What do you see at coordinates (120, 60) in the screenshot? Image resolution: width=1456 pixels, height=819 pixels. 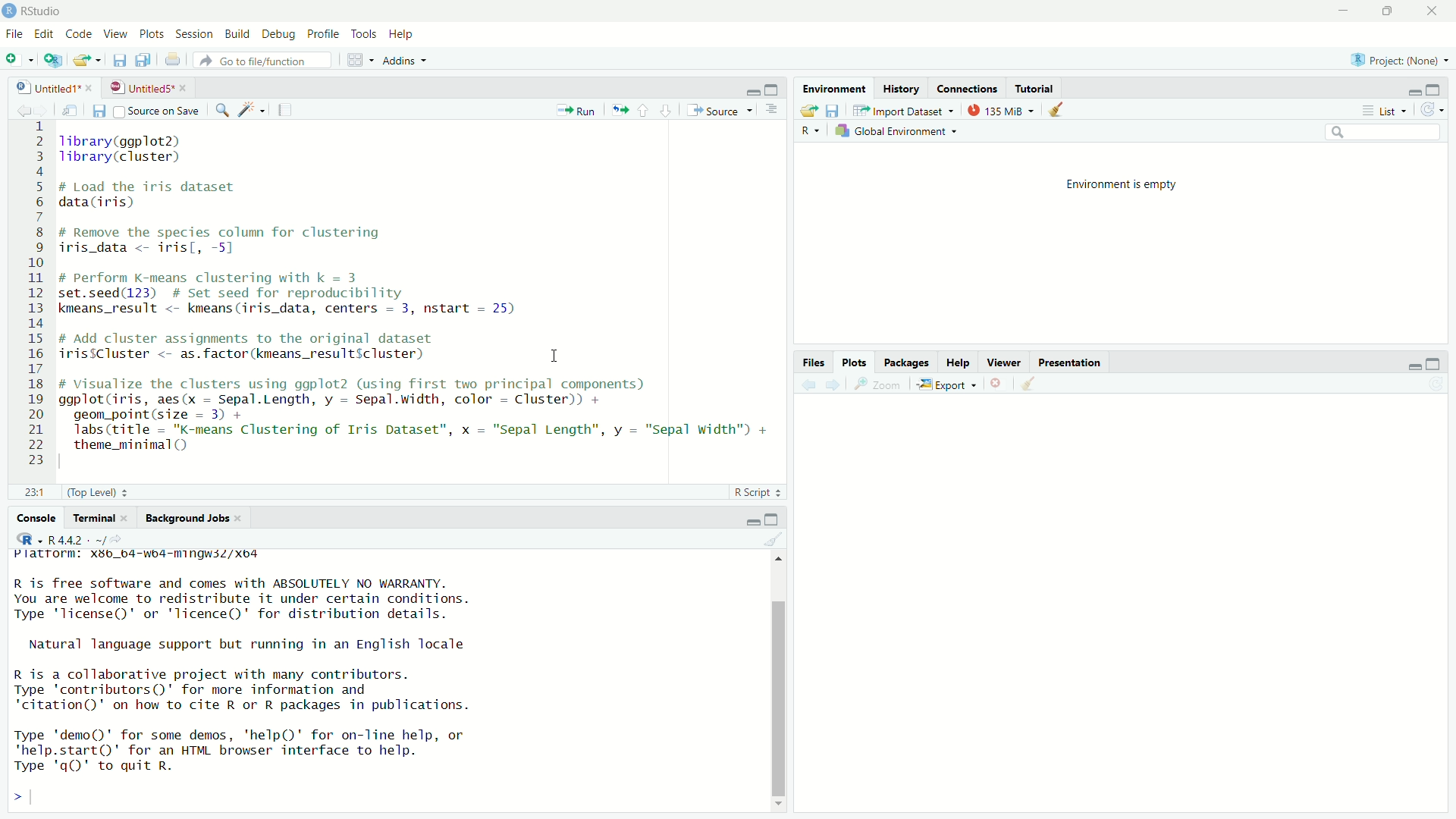 I see `save current document` at bounding box center [120, 60].